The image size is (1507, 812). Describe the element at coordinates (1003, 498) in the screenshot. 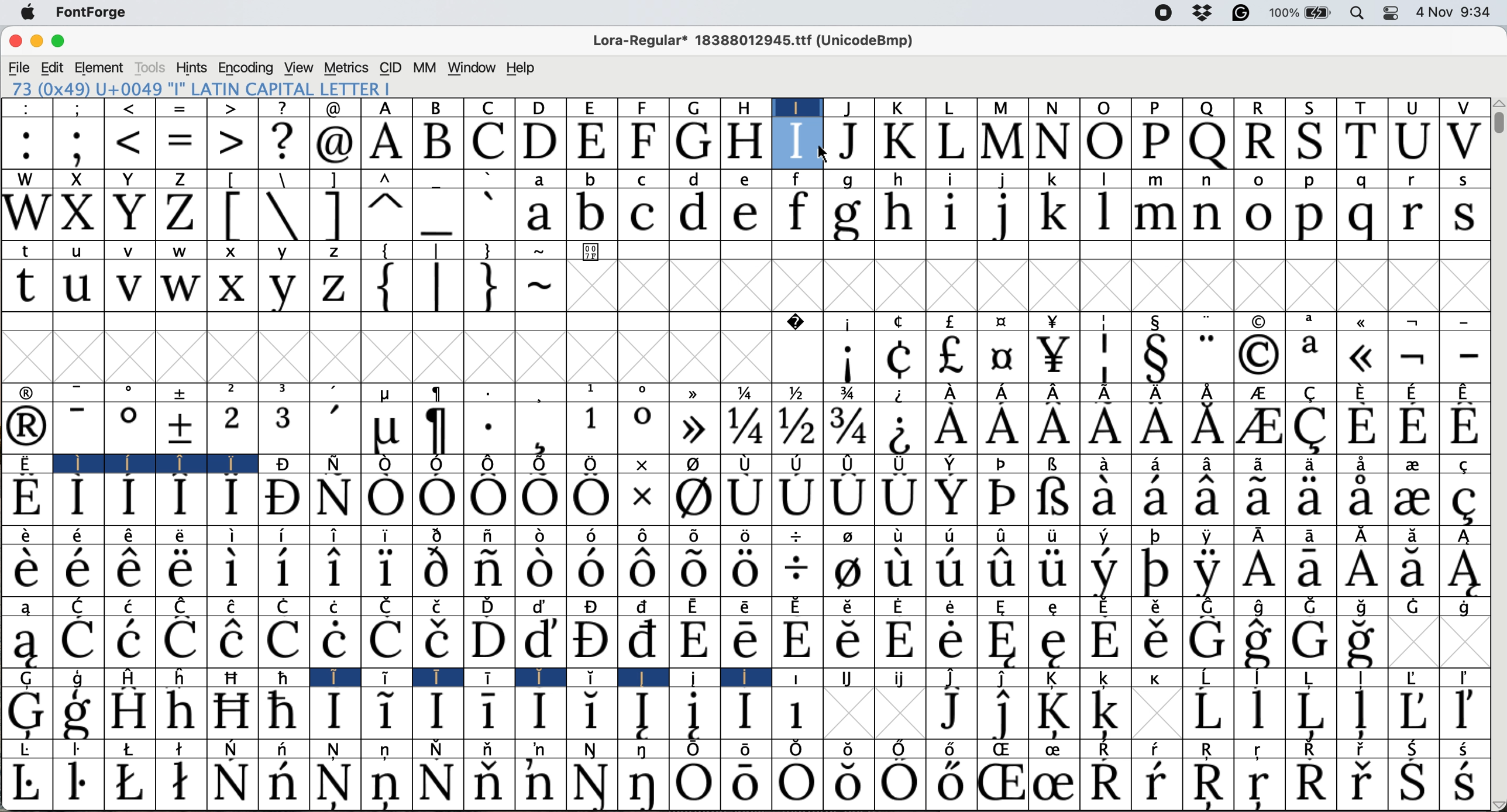

I see `Symbol` at that location.